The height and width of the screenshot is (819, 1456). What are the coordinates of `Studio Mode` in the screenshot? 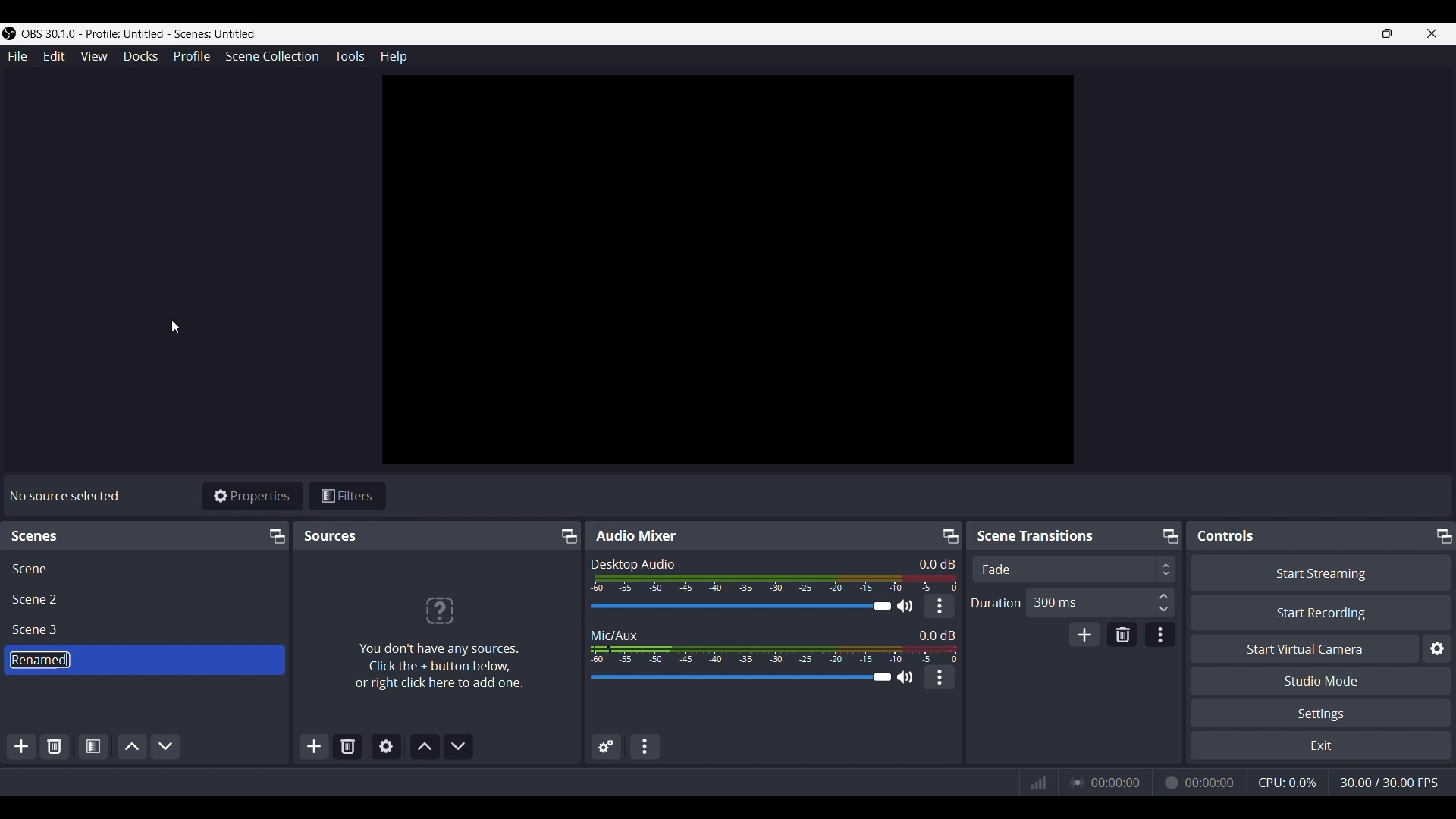 It's located at (1322, 680).